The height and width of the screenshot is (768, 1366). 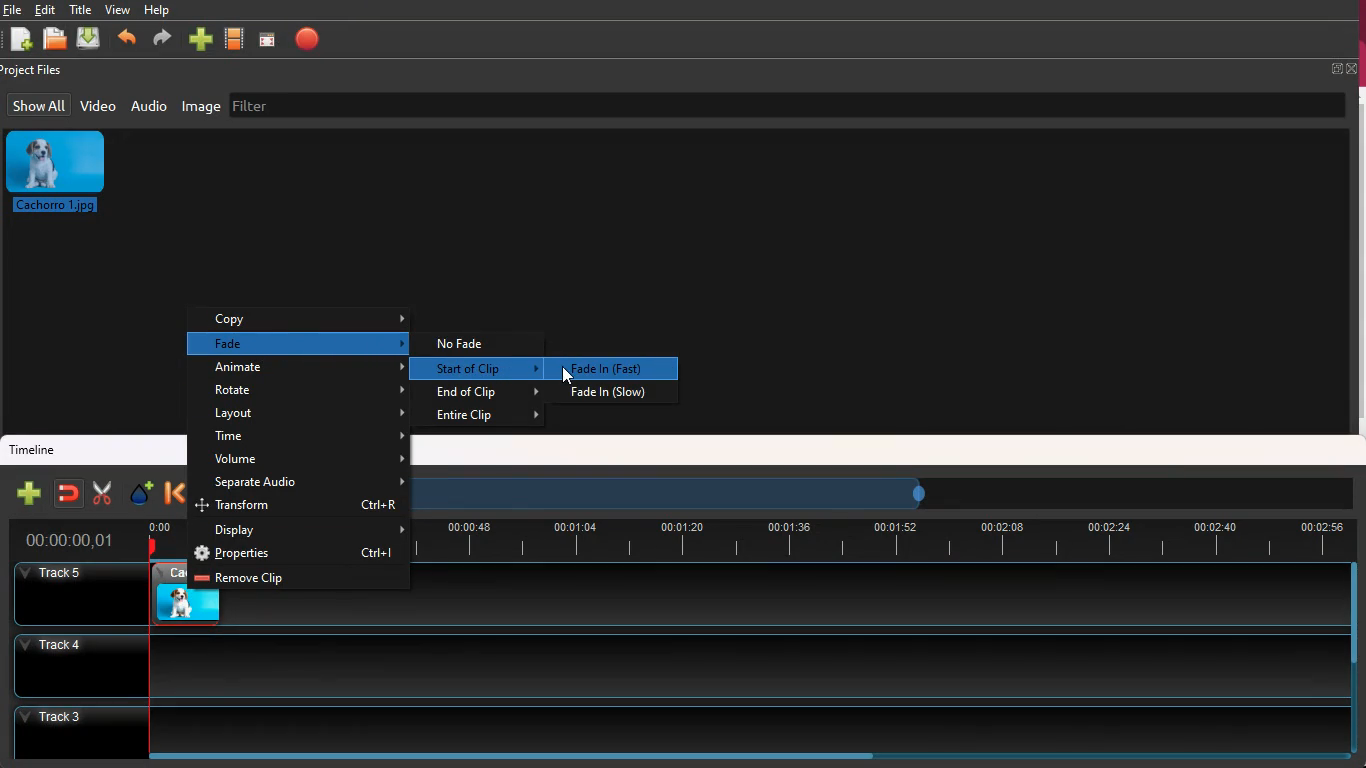 What do you see at coordinates (70, 493) in the screenshot?
I see `join` at bounding box center [70, 493].